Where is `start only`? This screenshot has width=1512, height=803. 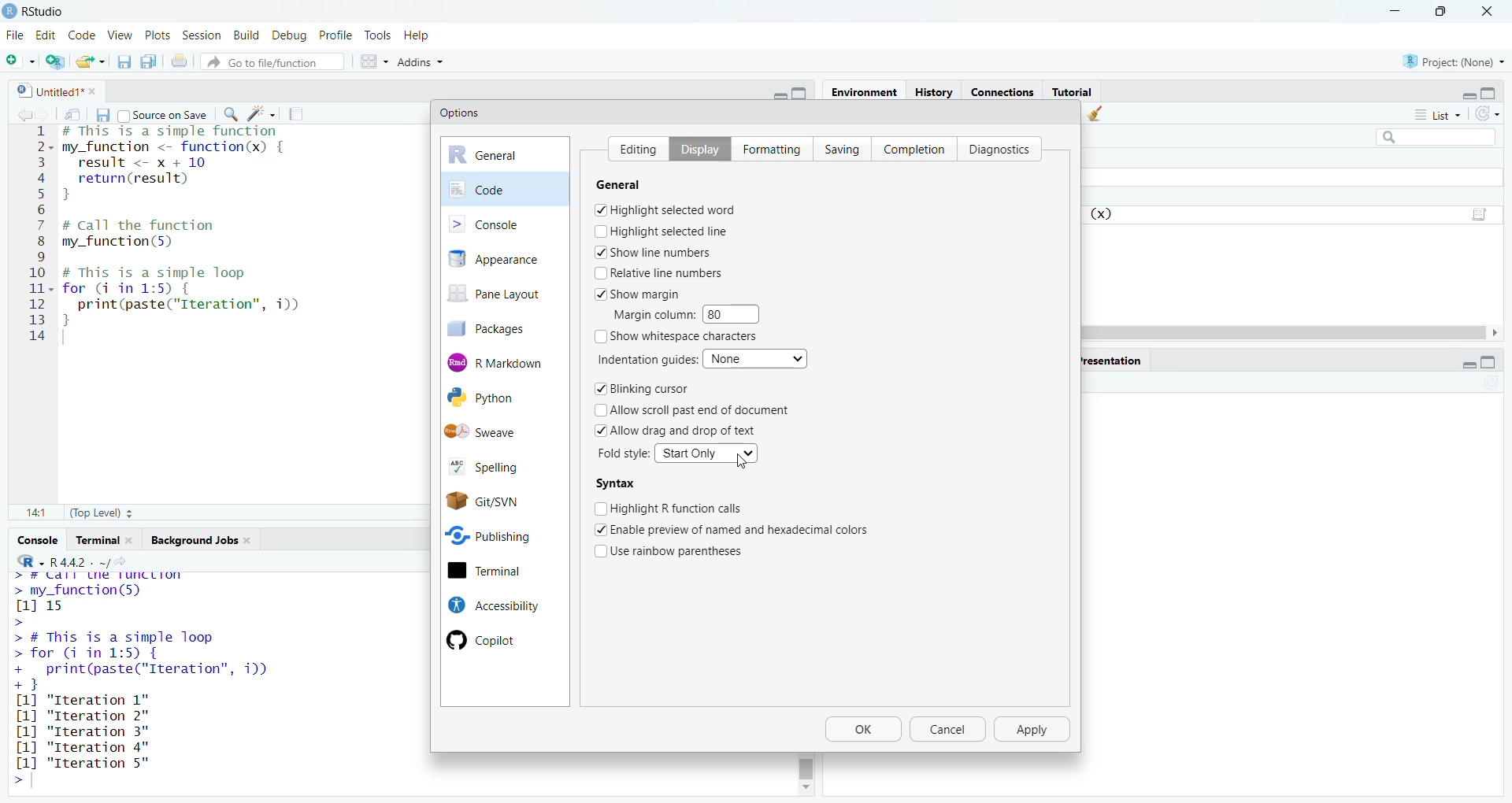 start only is located at coordinates (707, 453).